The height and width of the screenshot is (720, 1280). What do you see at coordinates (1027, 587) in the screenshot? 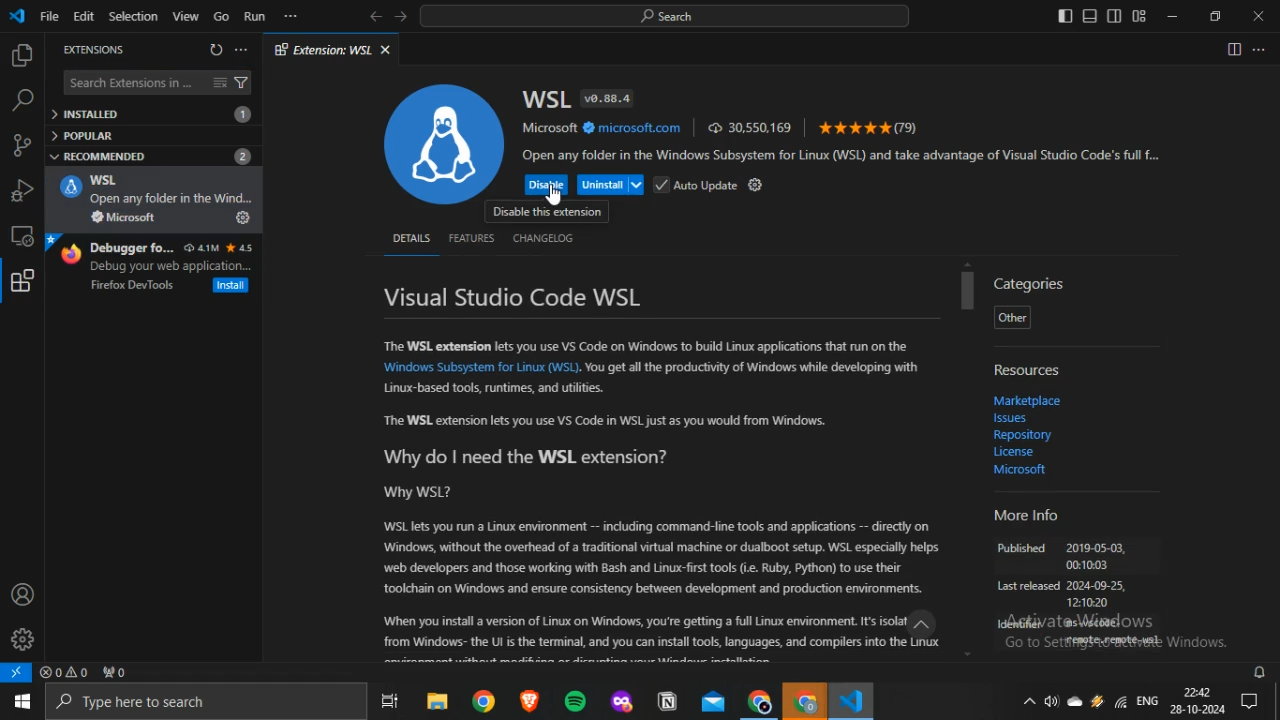
I see `Last released` at bounding box center [1027, 587].